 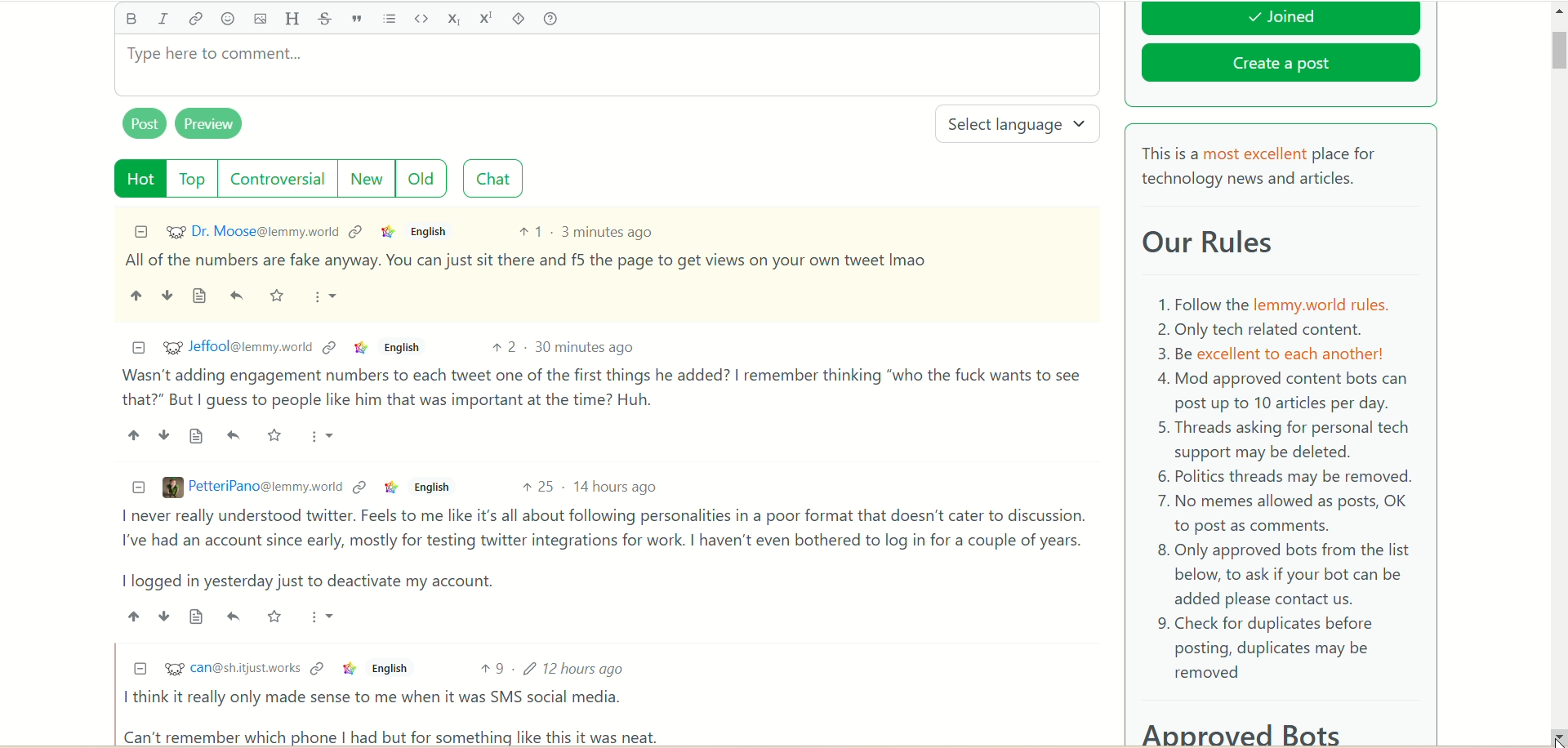 What do you see at coordinates (360, 488) in the screenshot?
I see `Link` at bounding box center [360, 488].